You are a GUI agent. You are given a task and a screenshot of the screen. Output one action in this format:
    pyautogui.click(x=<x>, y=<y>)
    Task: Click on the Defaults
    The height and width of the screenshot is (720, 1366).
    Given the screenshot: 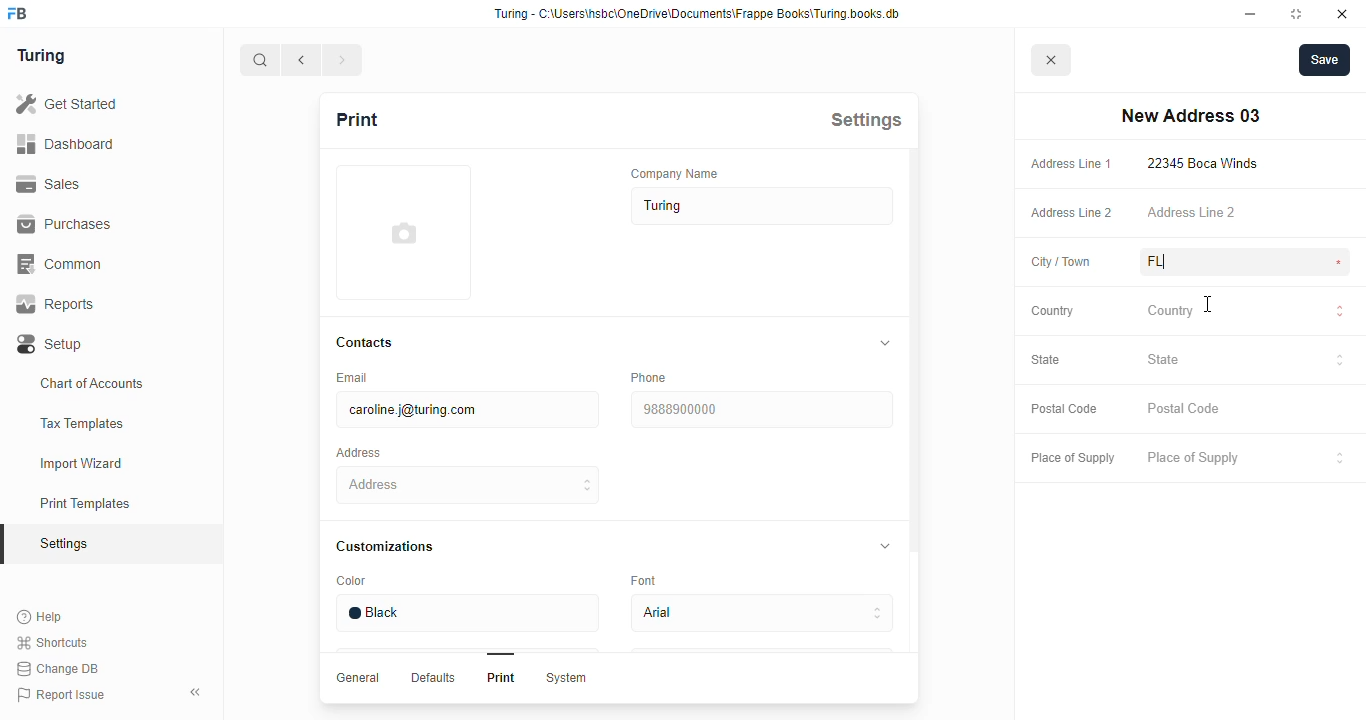 What is the action you would take?
    pyautogui.click(x=431, y=677)
    